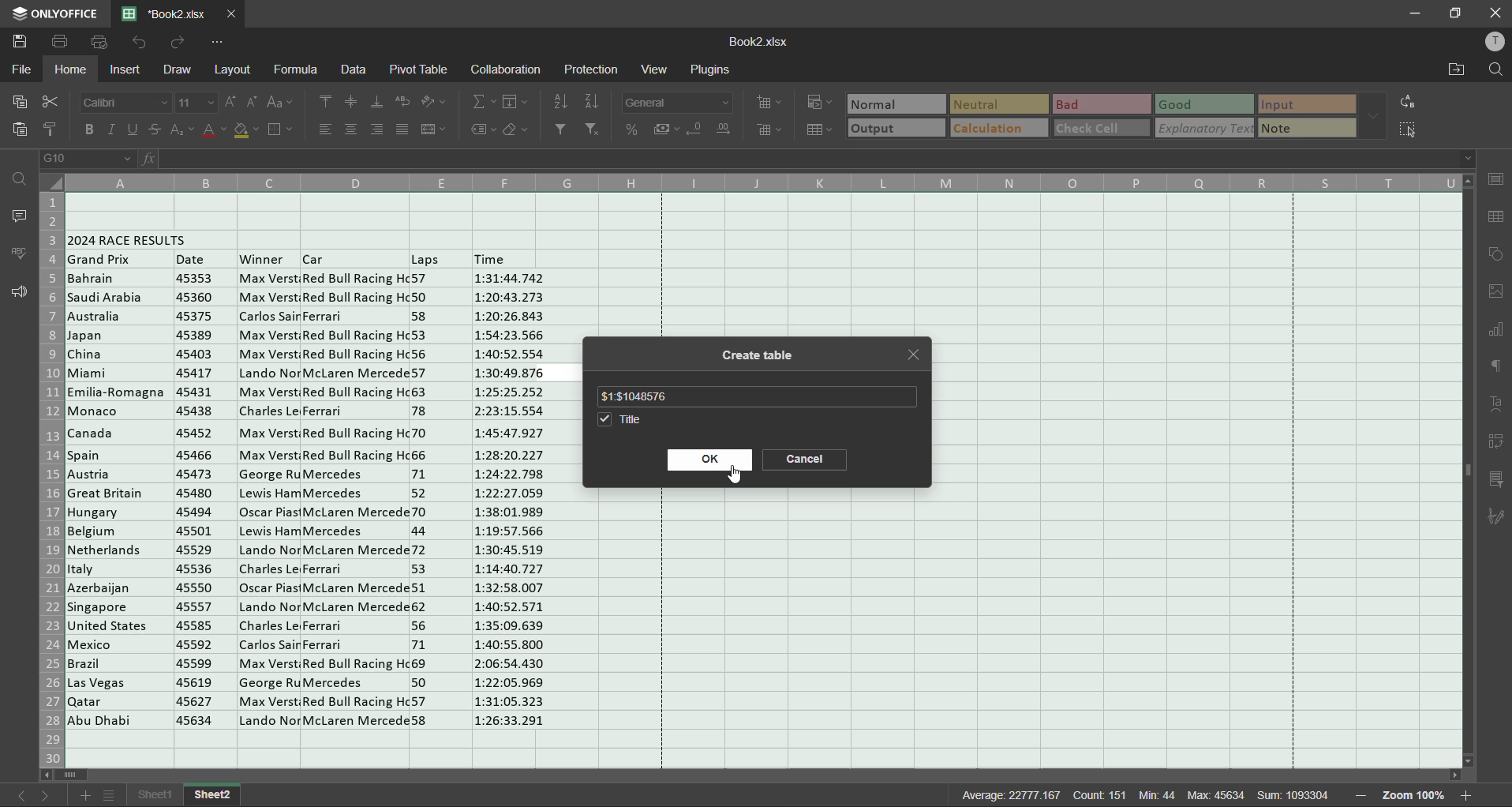 The height and width of the screenshot is (807, 1512). What do you see at coordinates (821, 131) in the screenshot?
I see `format as table` at bounding box center [821, 131].